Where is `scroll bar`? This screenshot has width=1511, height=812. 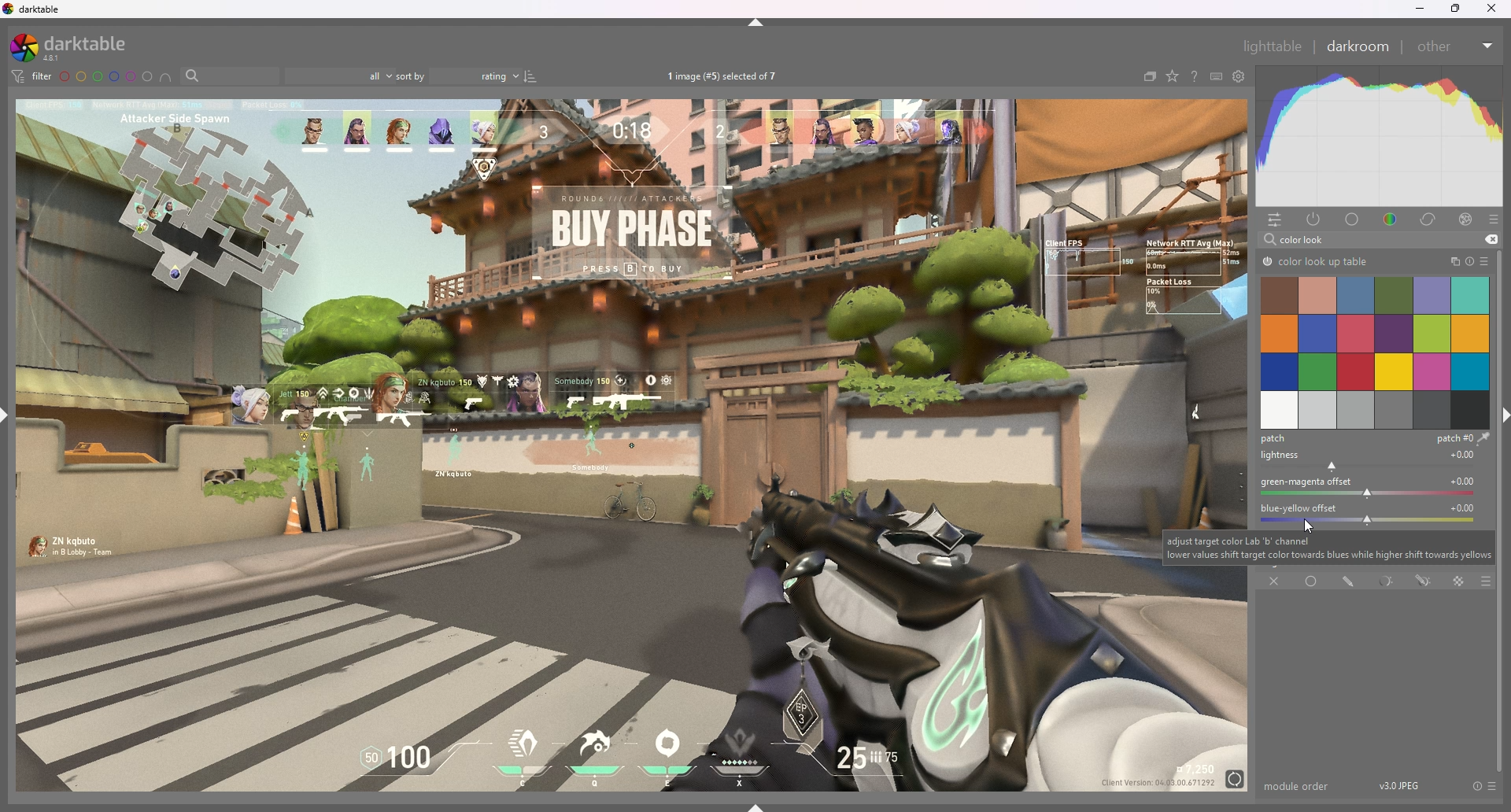
scroll bar is located at coordinates (1502, 513).